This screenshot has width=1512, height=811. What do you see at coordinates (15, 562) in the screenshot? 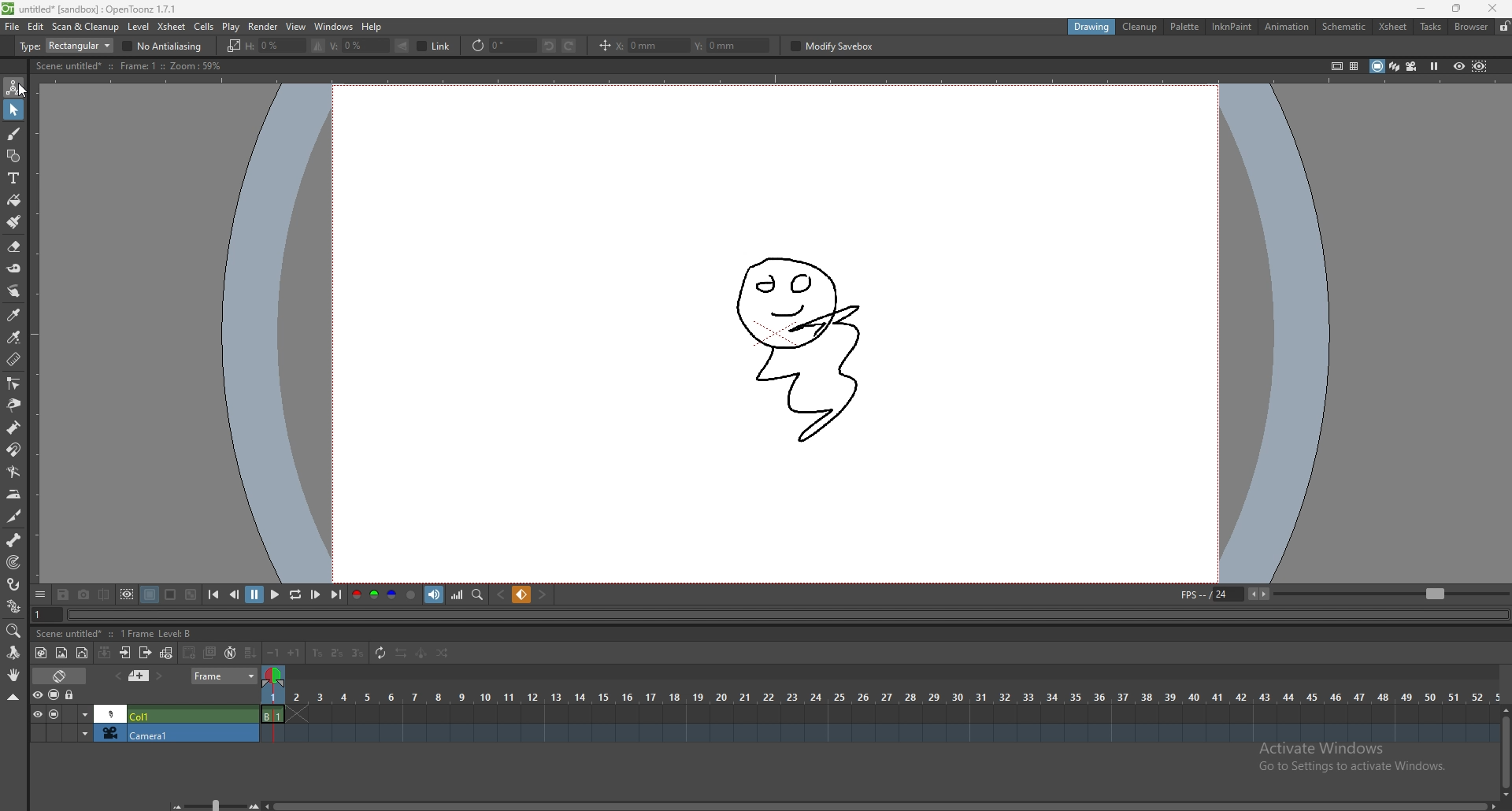
I see `target` at bounding box center [15, 562].